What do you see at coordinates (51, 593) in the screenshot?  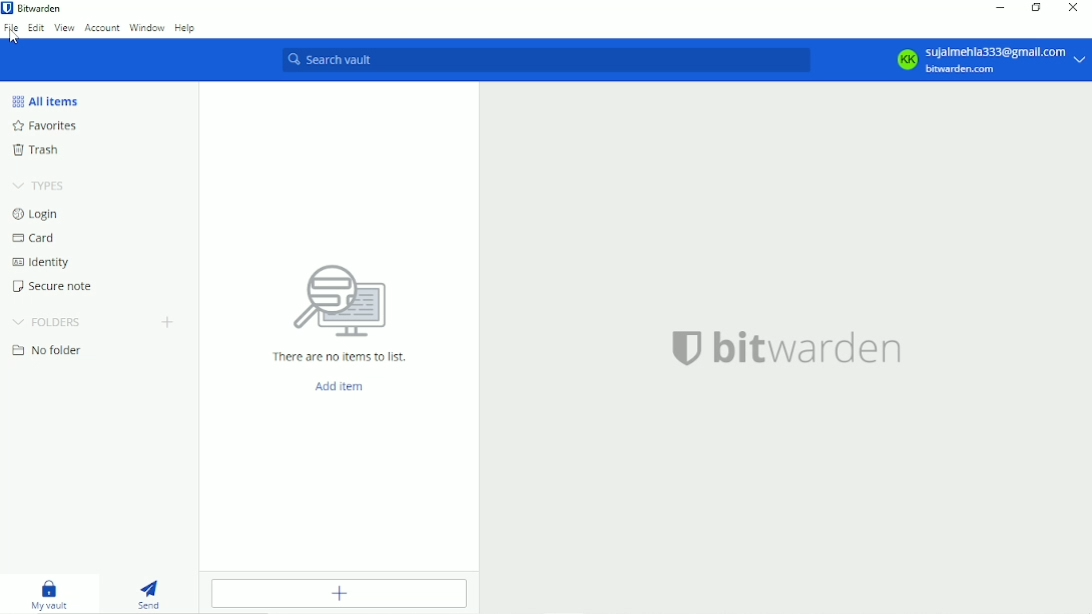 I see `My vault` at bounding box center [51, 593].